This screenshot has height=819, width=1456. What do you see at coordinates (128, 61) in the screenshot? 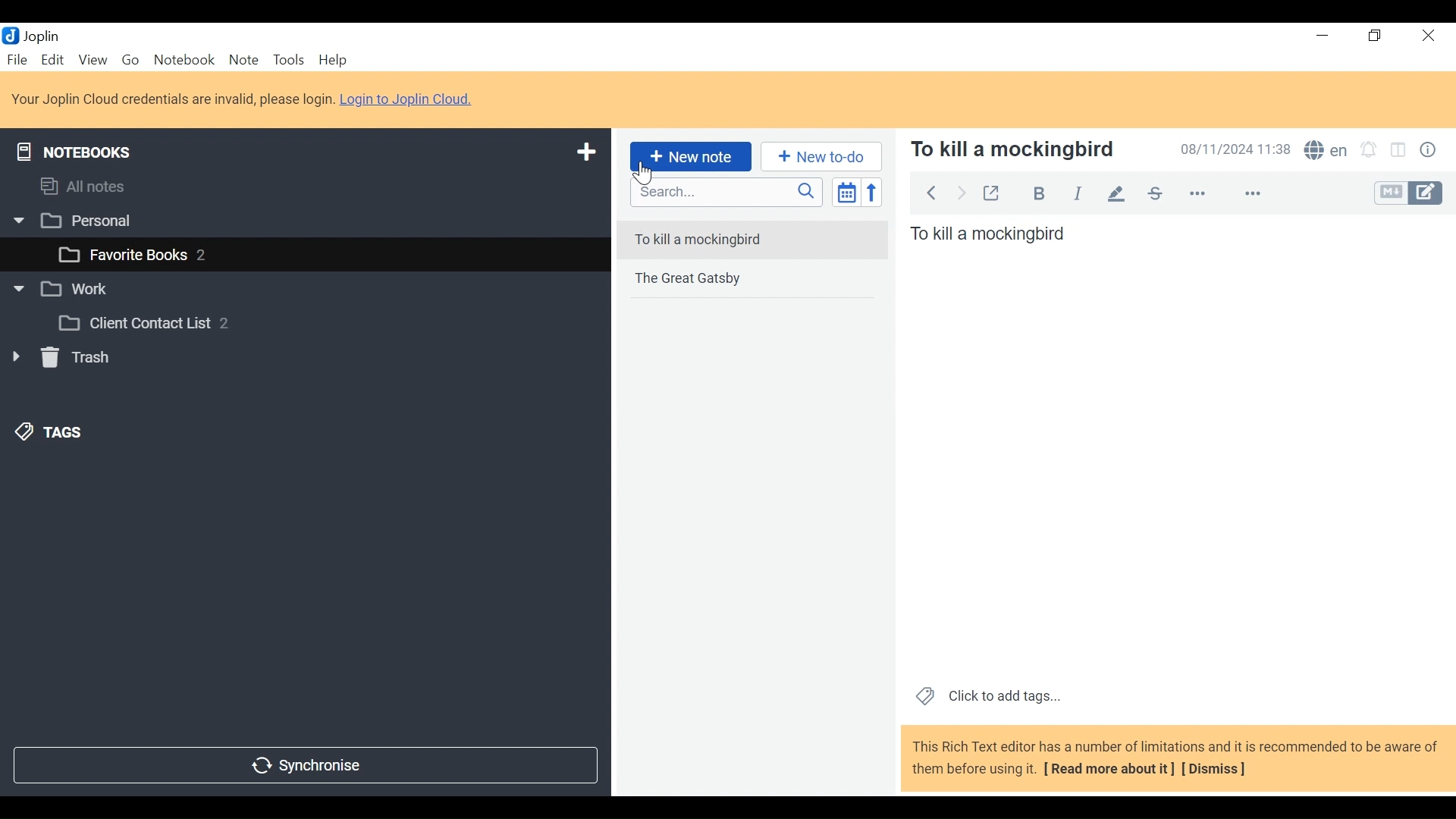
I see `Go` at bounding box center [128, 61].